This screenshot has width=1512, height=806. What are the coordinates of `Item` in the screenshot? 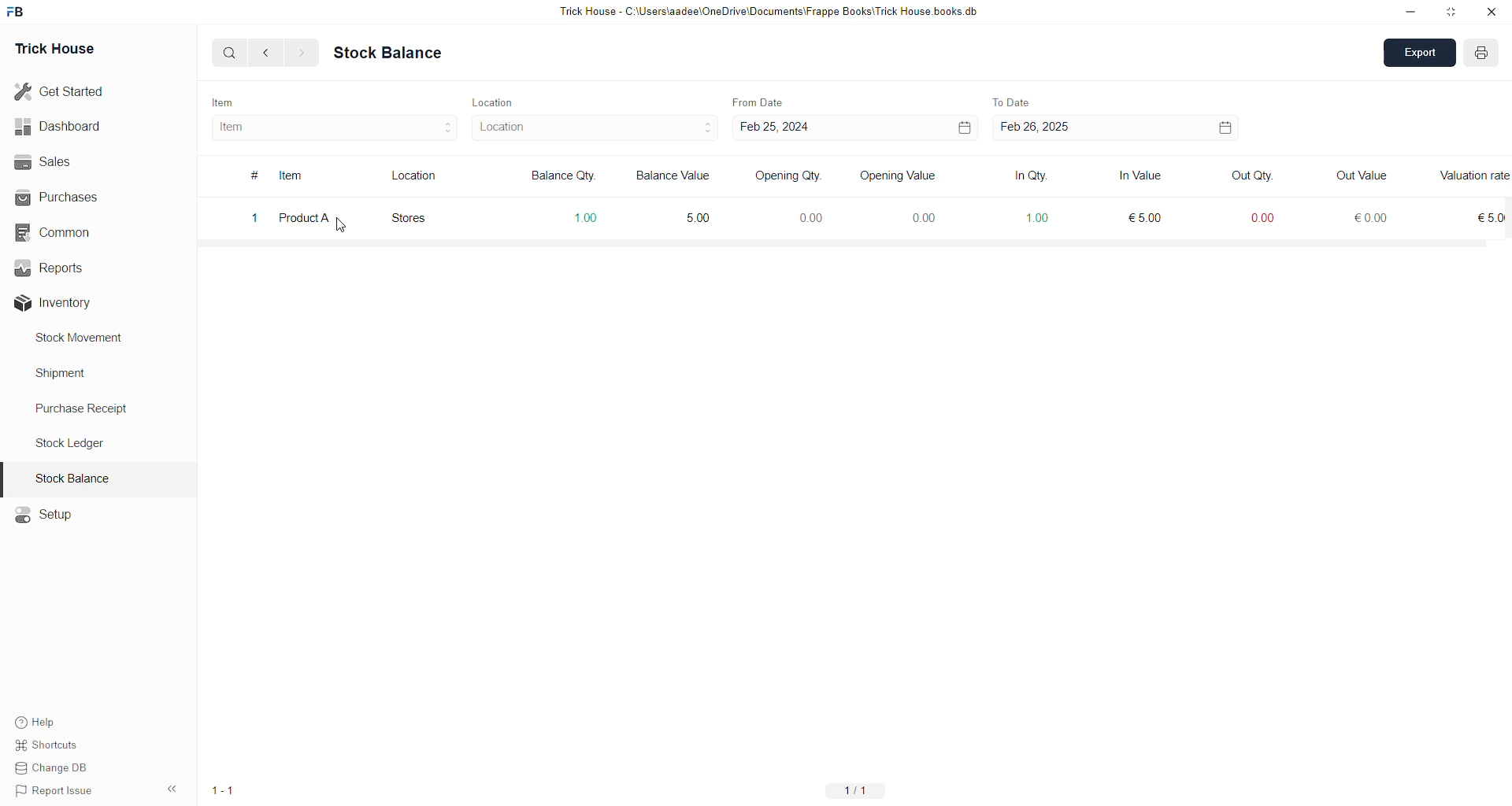 It's located at (220, 101).